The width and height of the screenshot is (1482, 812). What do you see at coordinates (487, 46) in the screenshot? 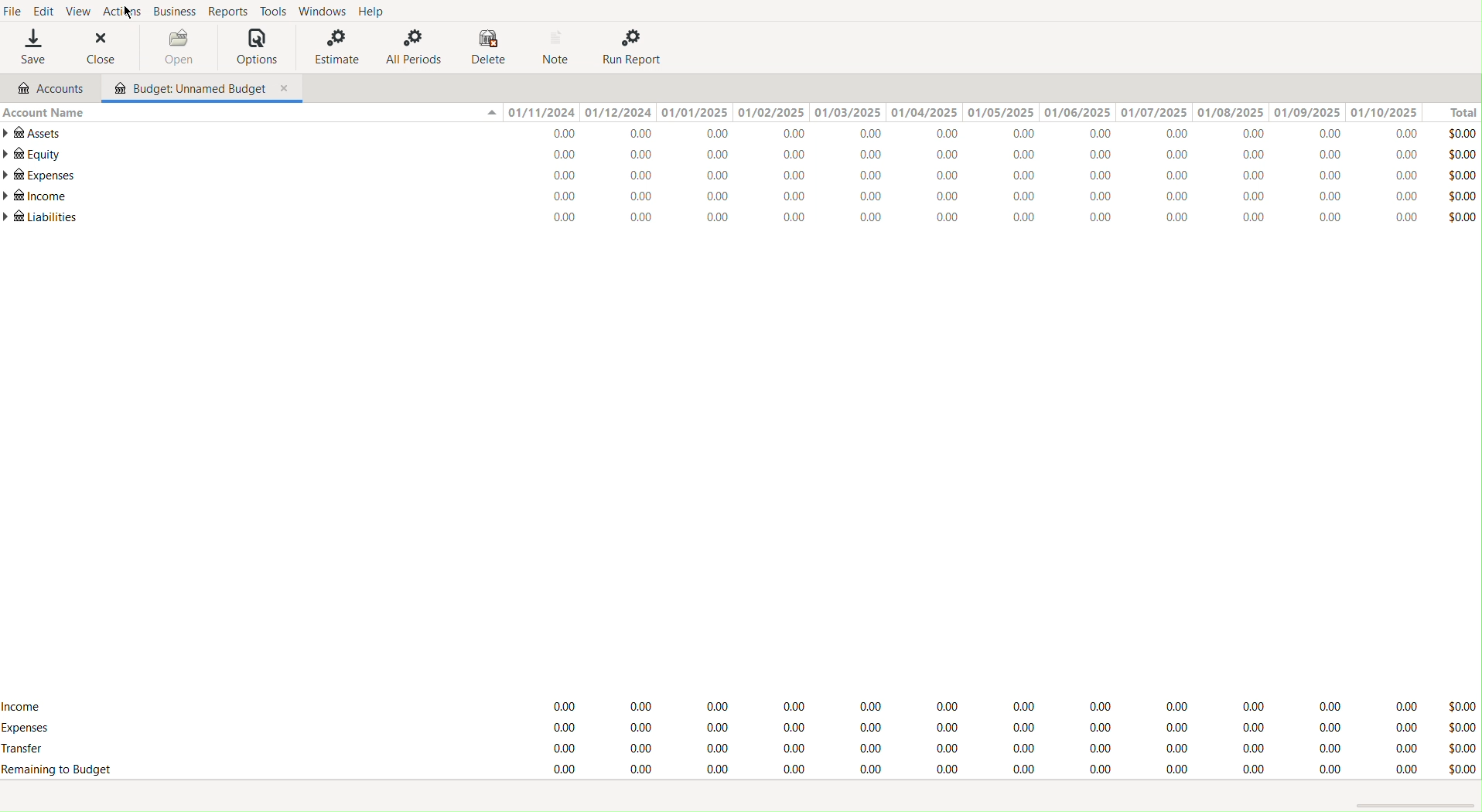
I see `Delete` at bounding box center [487, 46].